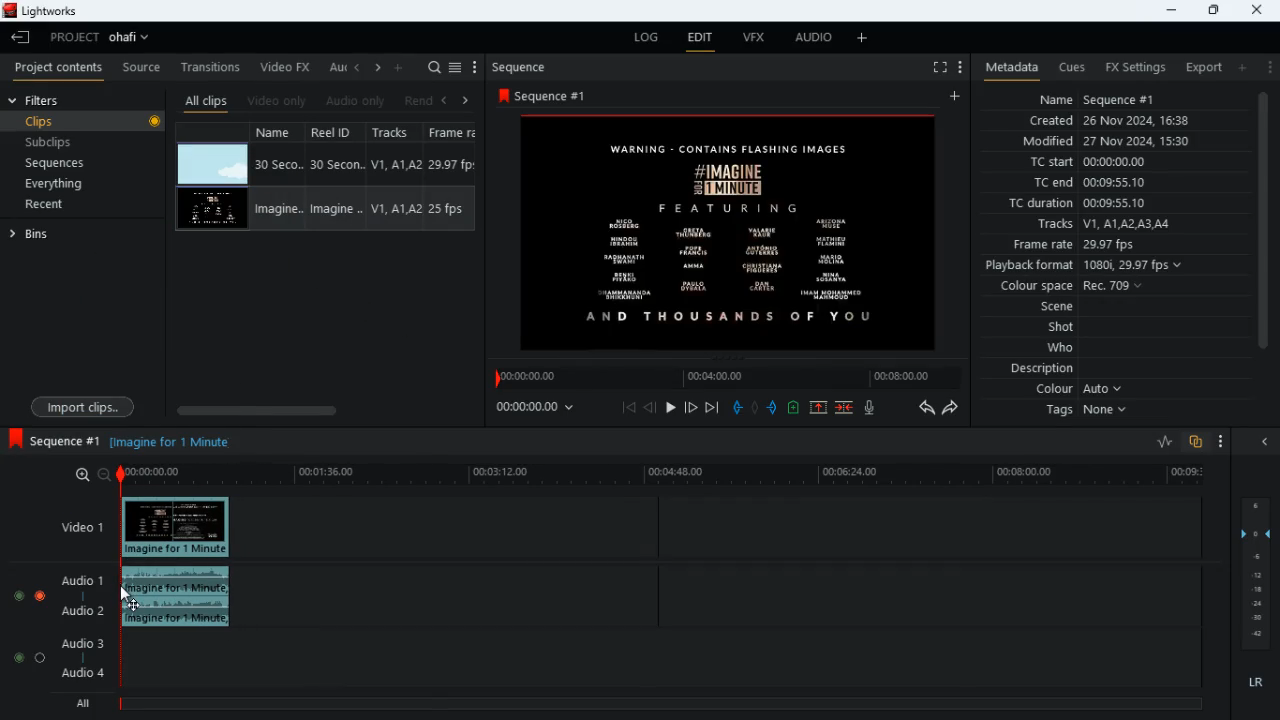 The width and height of the screenshot is (1280, 720). What do you see at coordinates (755, 408) in the screenshot?
I see `hold` at bounding box center [755, 408].